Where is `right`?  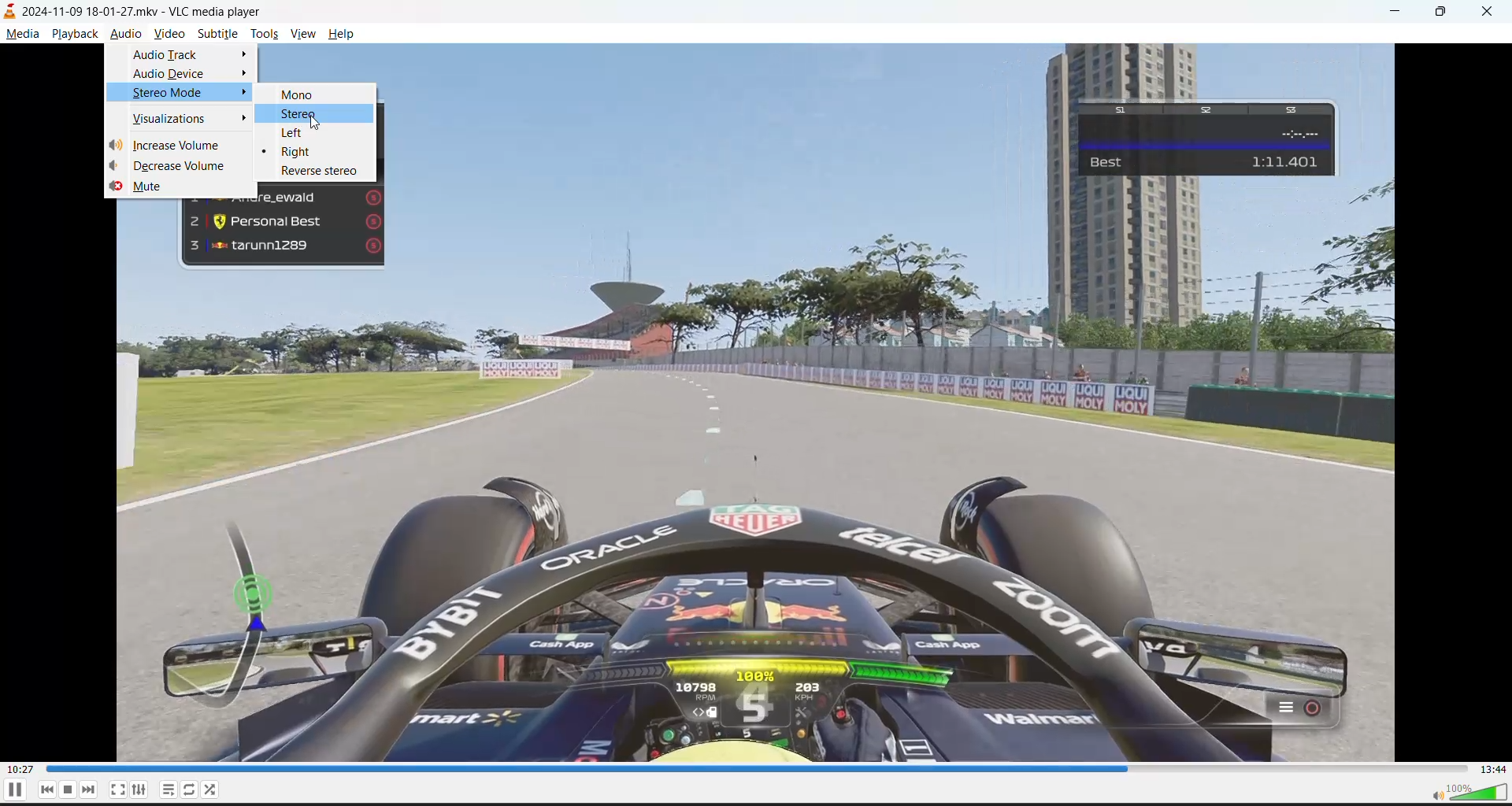 right is located at coordinates (298, 153).